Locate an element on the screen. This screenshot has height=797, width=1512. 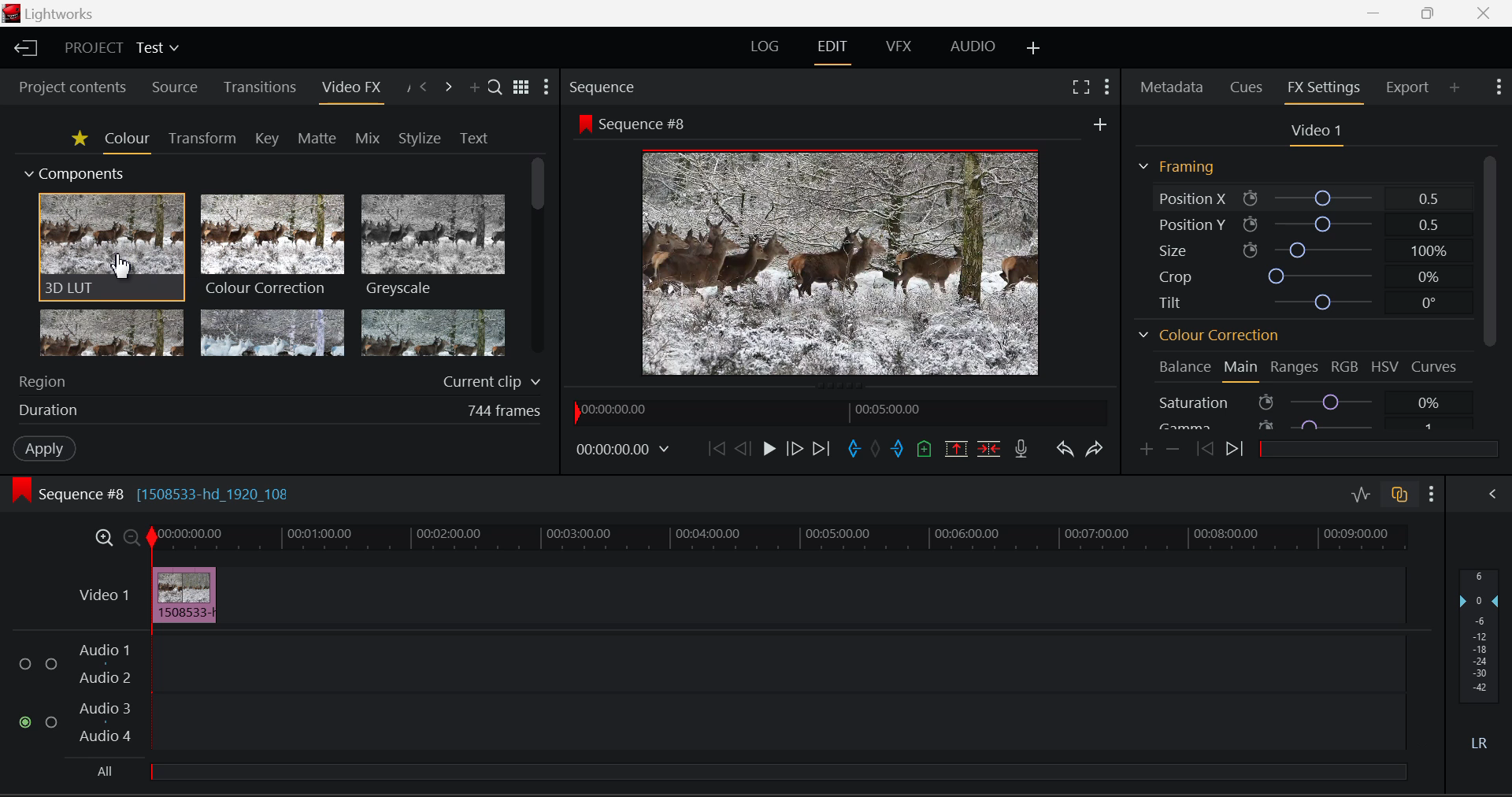
Toggle audio levels editing is located at coordinates (1361, 493).